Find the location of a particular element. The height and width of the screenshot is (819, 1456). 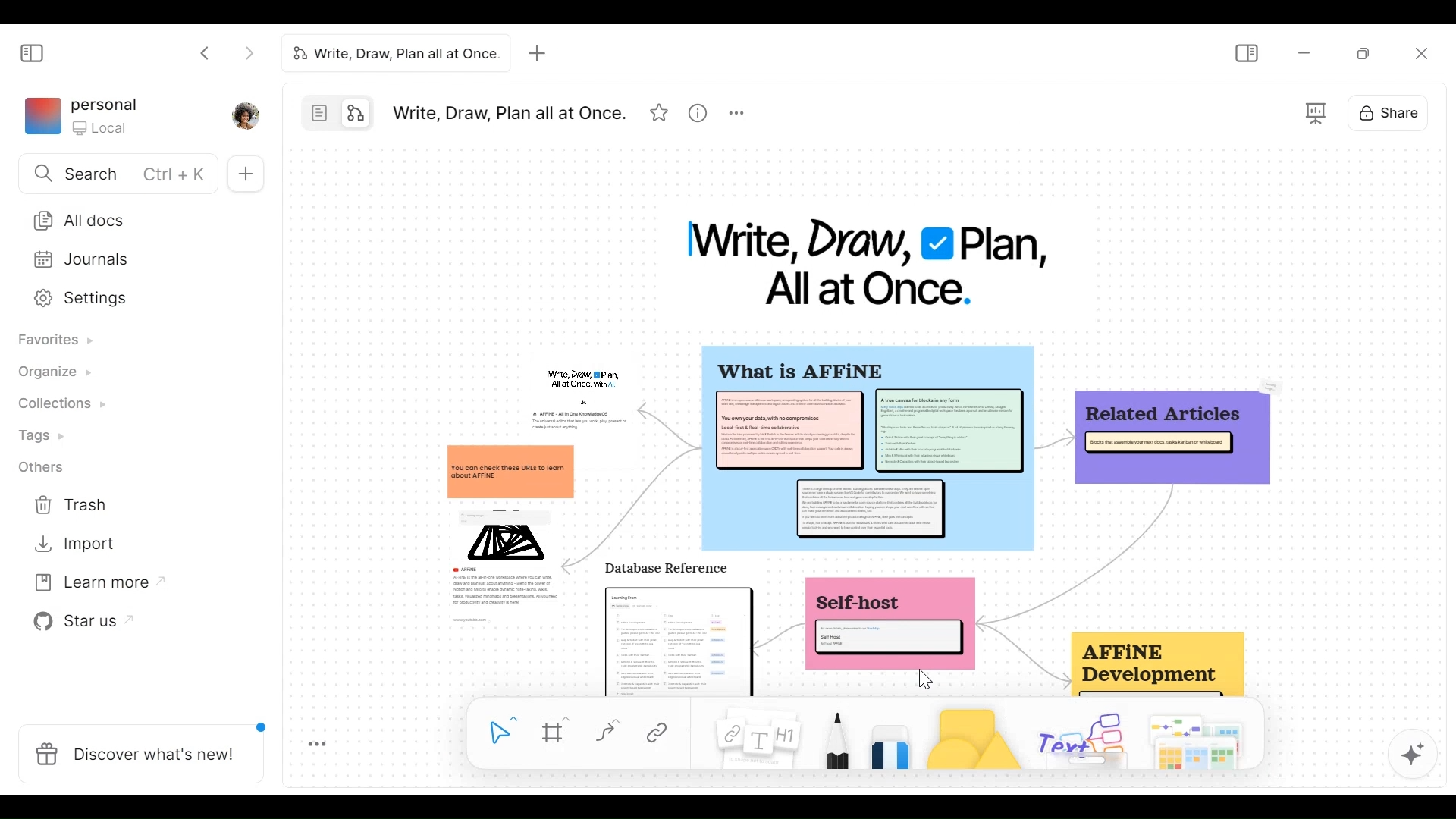

Pen is located at coordinates (845, 735).